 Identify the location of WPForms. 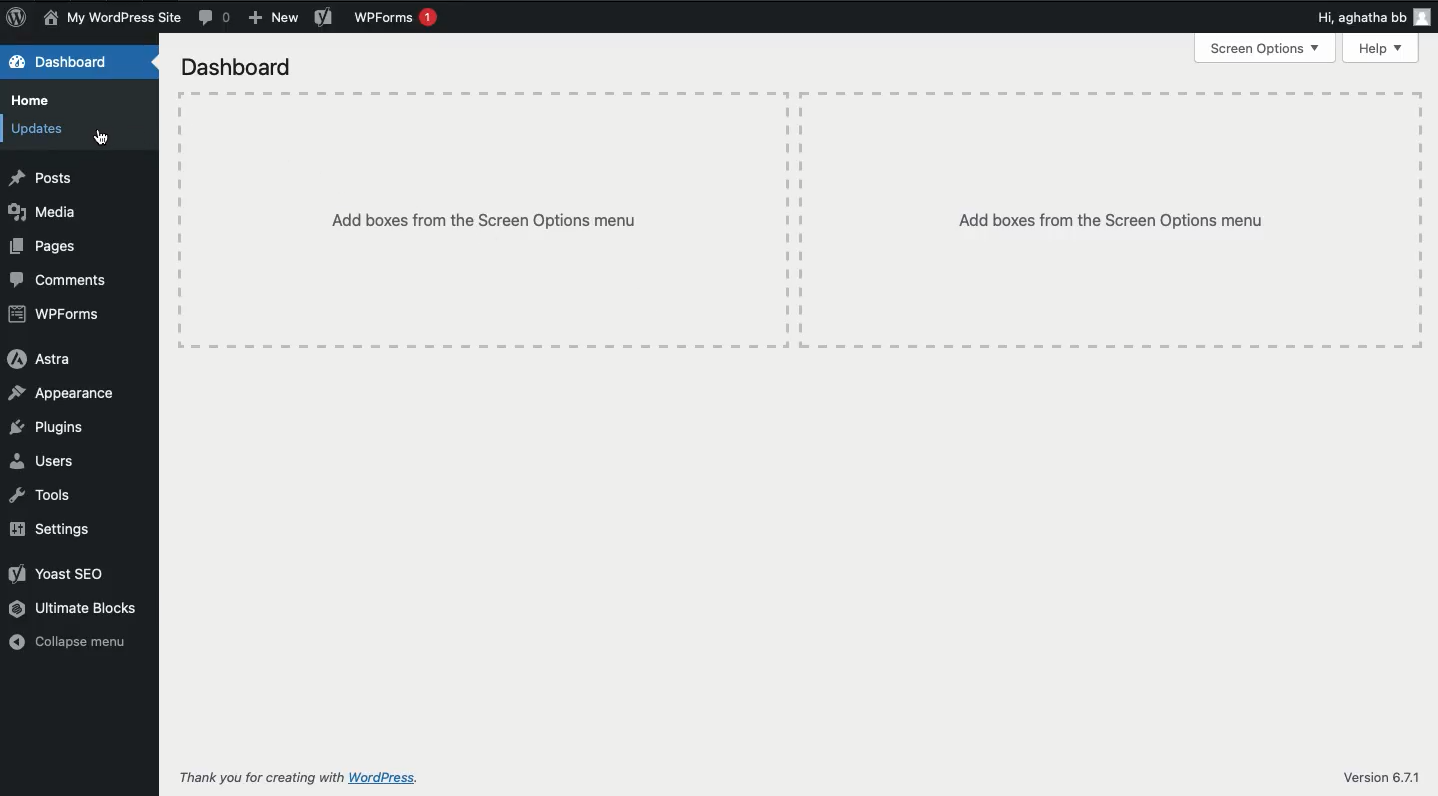
(59, 316).